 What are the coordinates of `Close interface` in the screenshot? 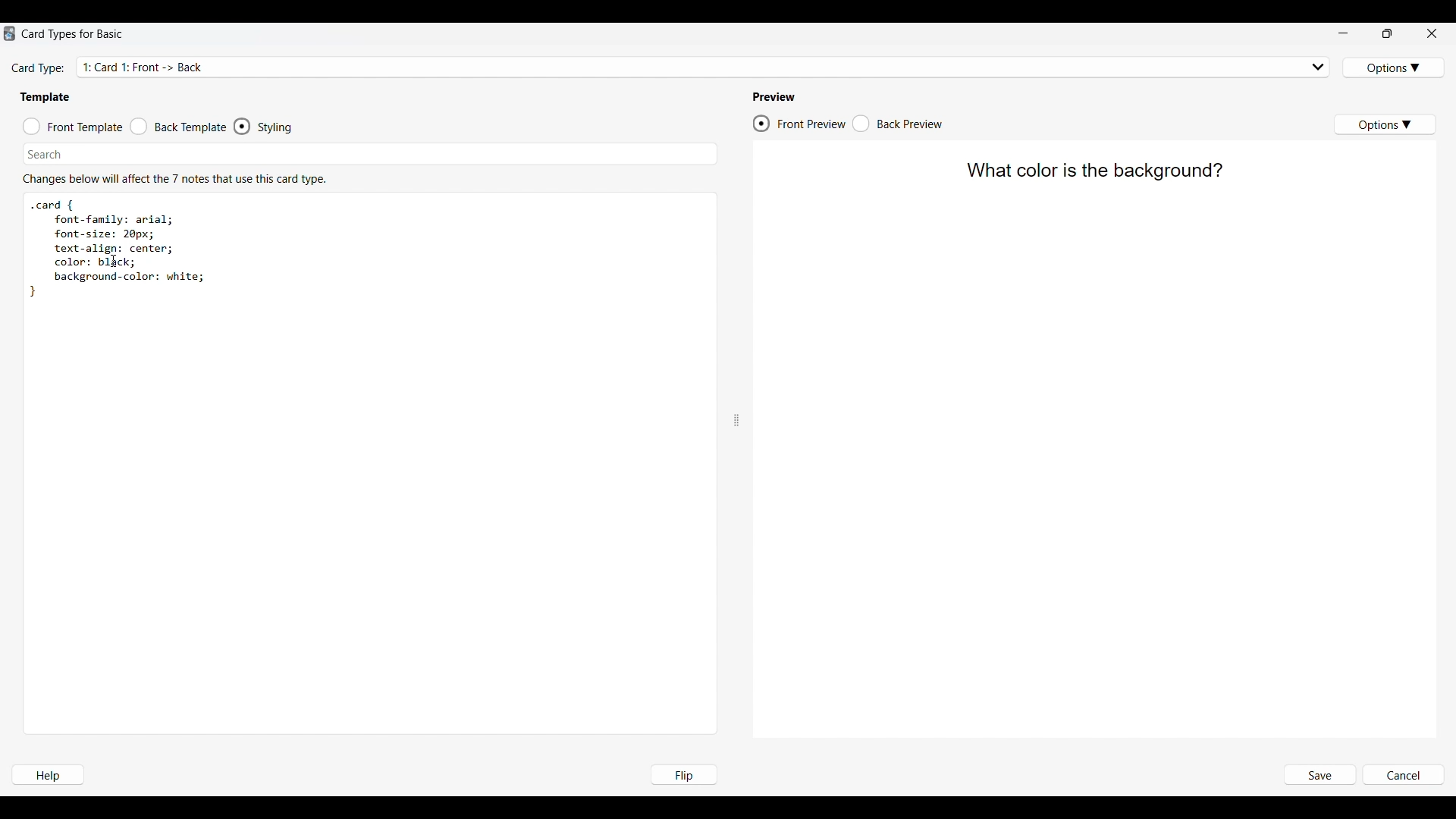 It's located at (1432, 33).